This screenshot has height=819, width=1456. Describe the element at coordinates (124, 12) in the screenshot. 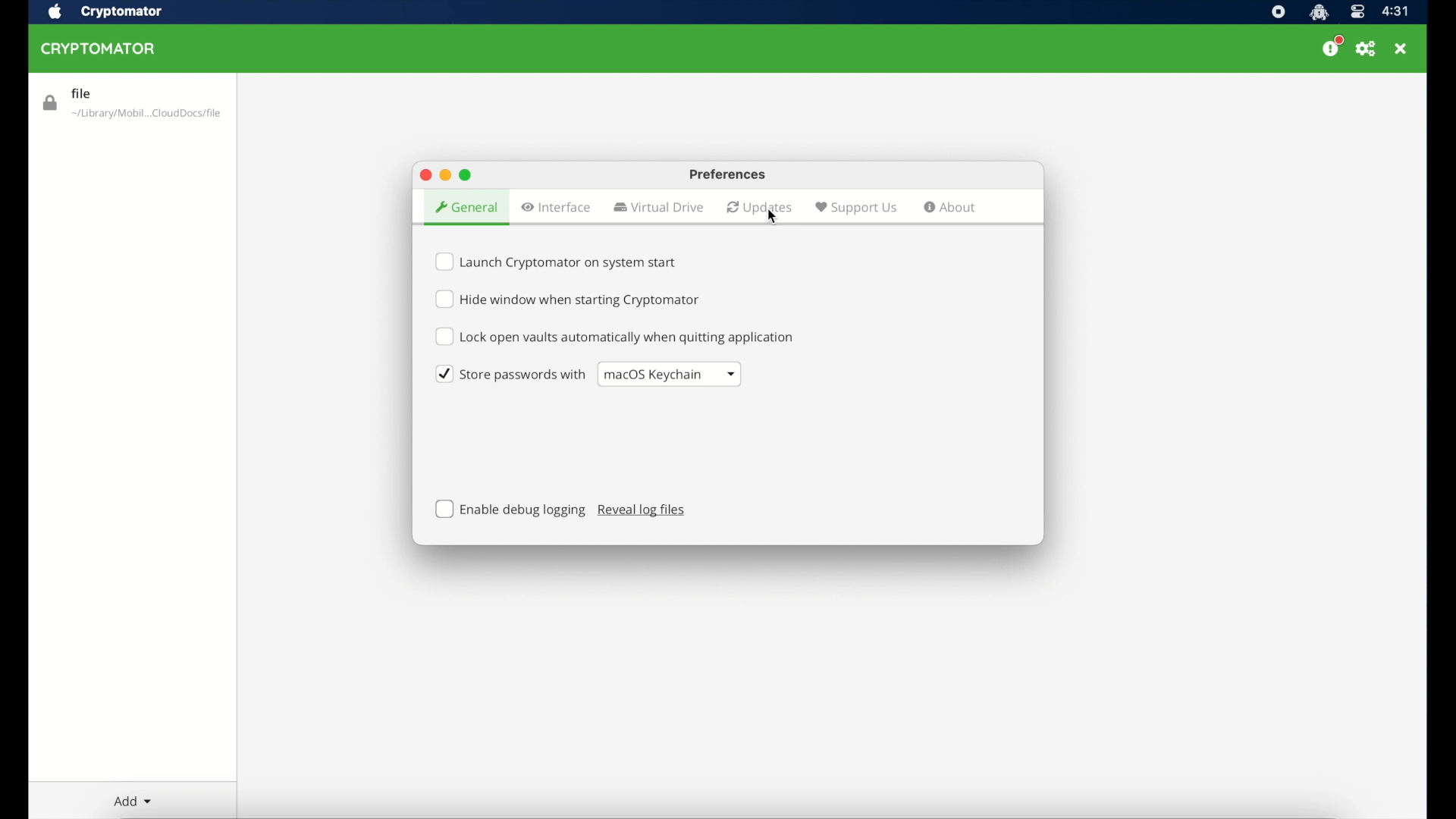

I see `cryptomator` at that location.